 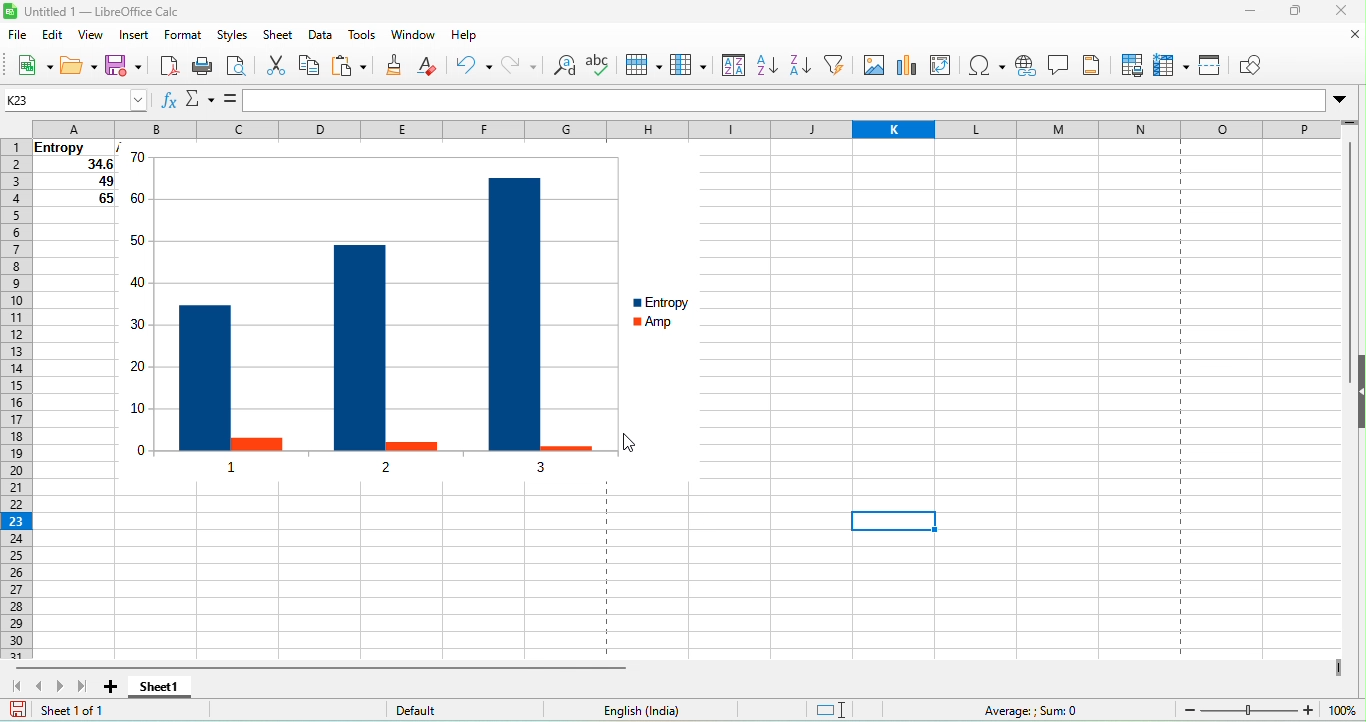 What do you see at coordinates (52, 35) in the screenshot?
I see `edit` at bounding box center [52, 35].